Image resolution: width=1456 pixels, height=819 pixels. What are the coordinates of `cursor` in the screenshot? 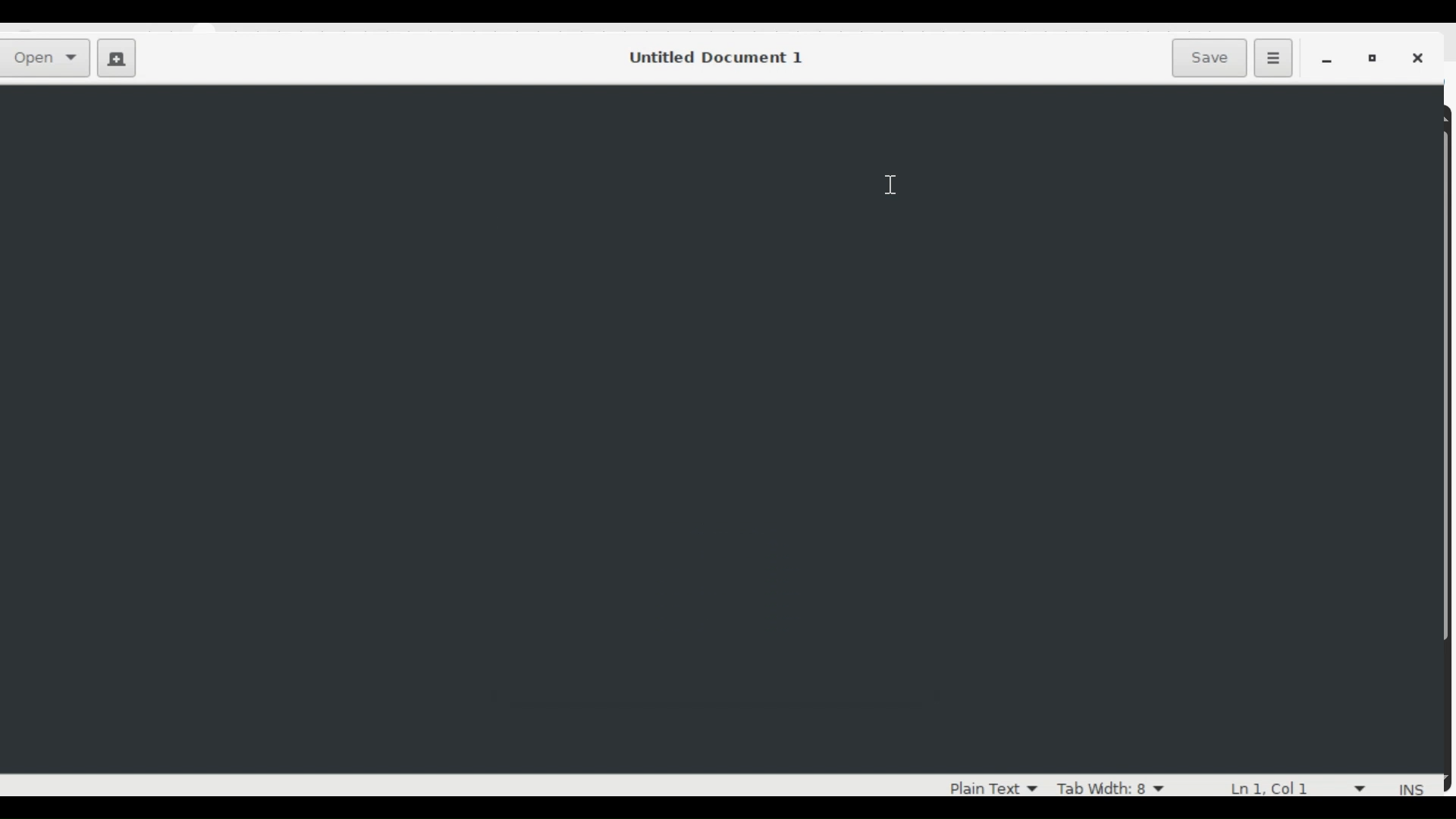 It's located at (887, 182).